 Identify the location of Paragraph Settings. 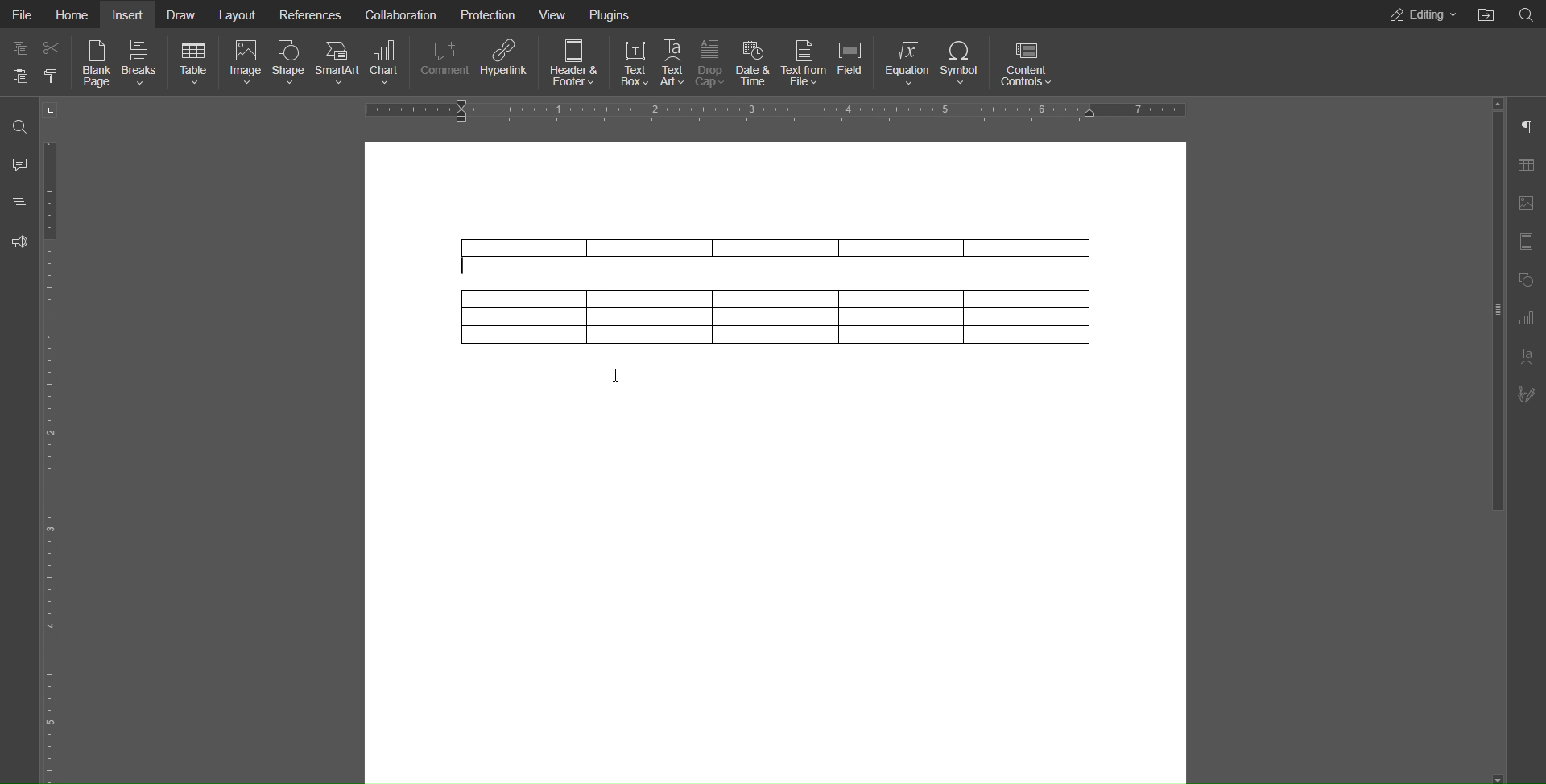
(1527, 126).